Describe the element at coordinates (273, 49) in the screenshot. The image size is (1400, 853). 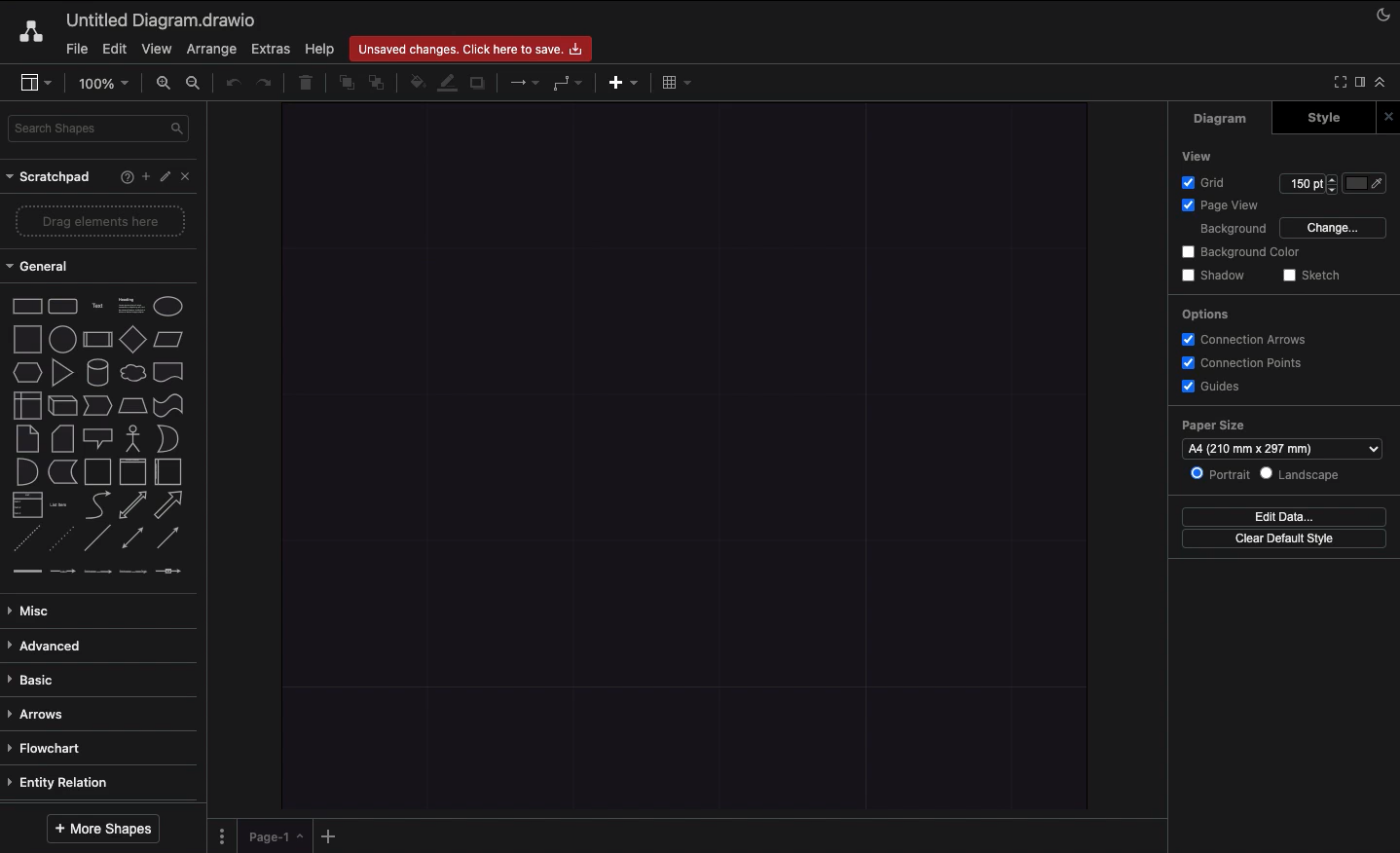
I see `Extras` at that location.